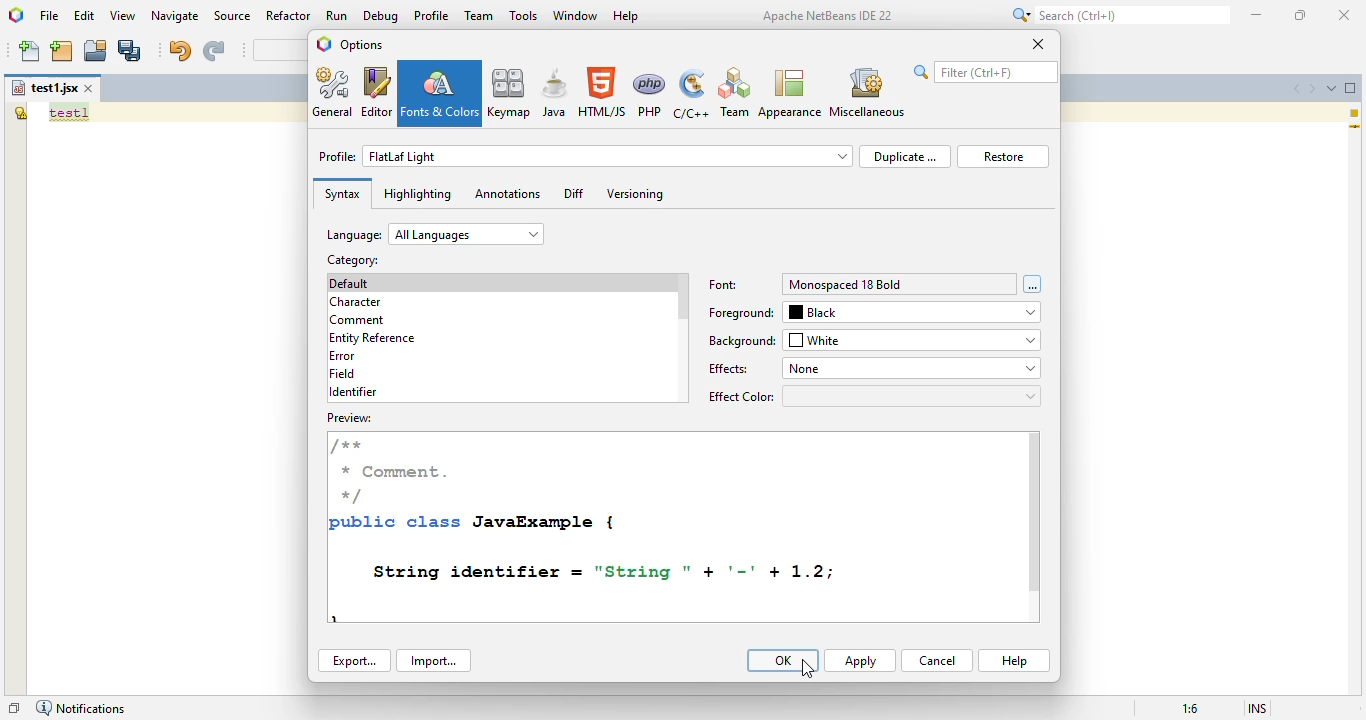 The width and height of the screenshot is (1366, 720). Describe the element at coordinates (554, 93) in the screenshot. I see `java` at that location.